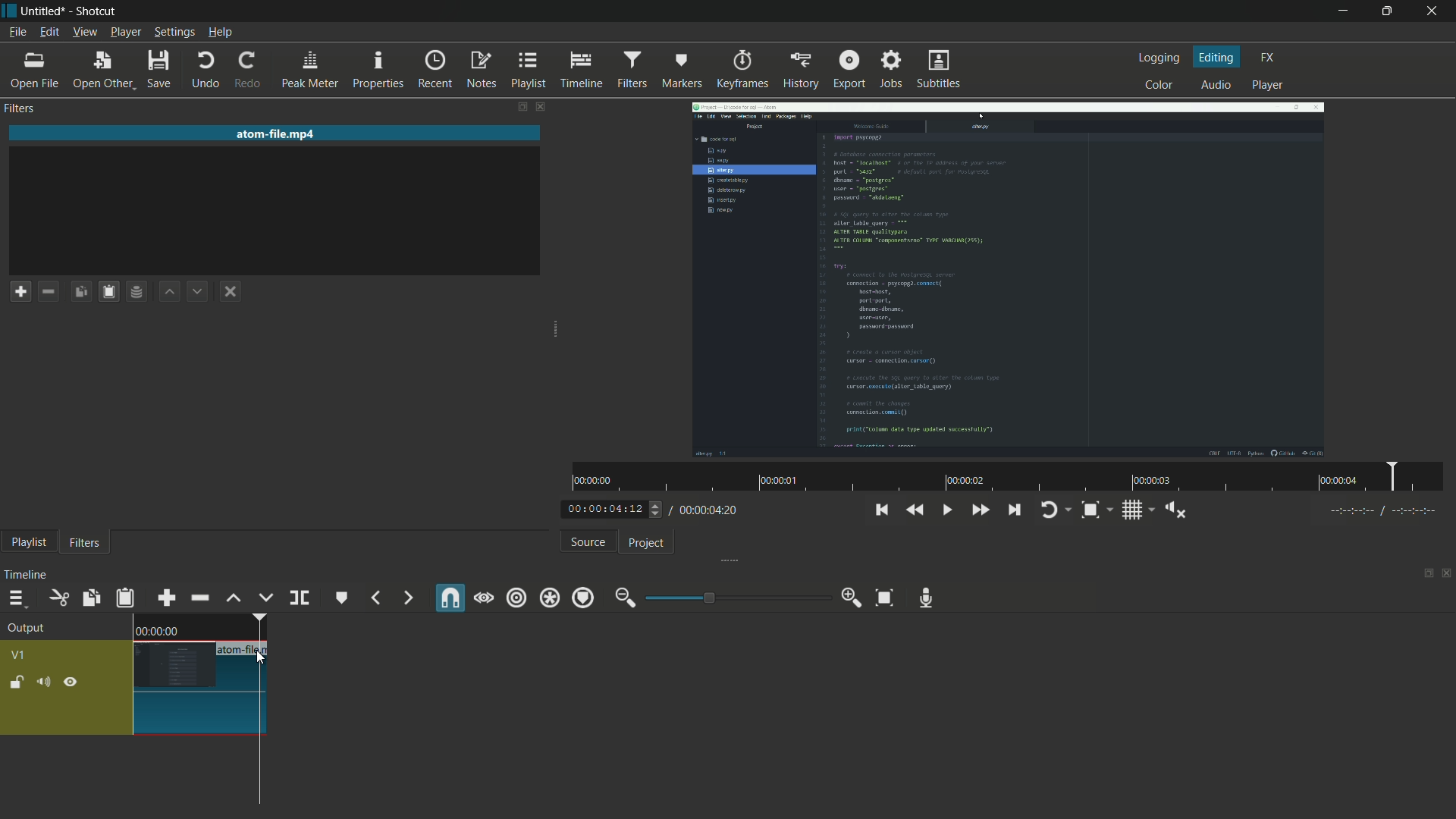 Image resolution: width=1456 pixels, height=819 pixels. Describe the element at coordinates (231, 292) in the screenshot. I see `deselect the filter` at that location.